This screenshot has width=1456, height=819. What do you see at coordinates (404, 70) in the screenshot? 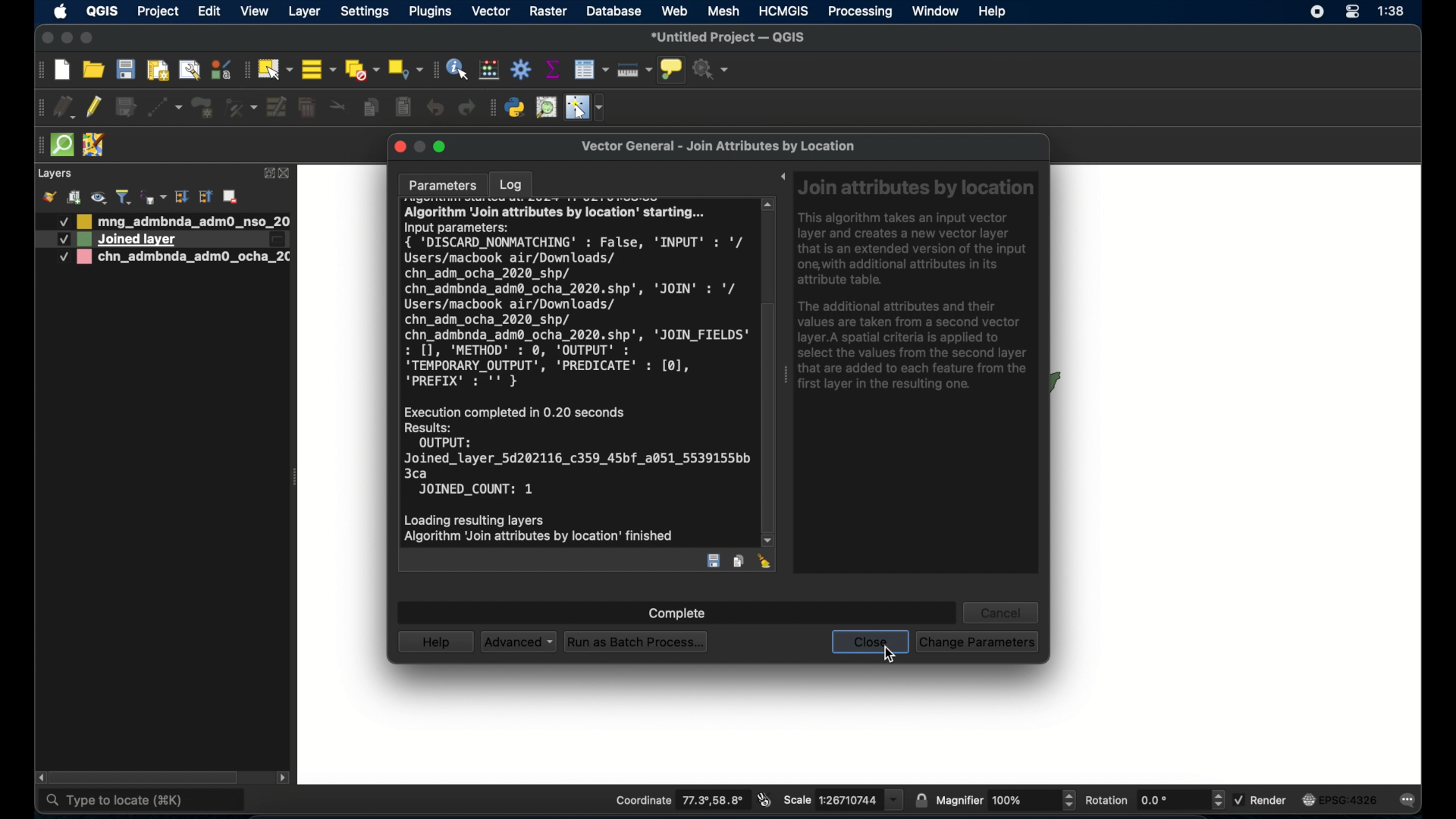
I see `select by location` at bounding box center [404, 70].